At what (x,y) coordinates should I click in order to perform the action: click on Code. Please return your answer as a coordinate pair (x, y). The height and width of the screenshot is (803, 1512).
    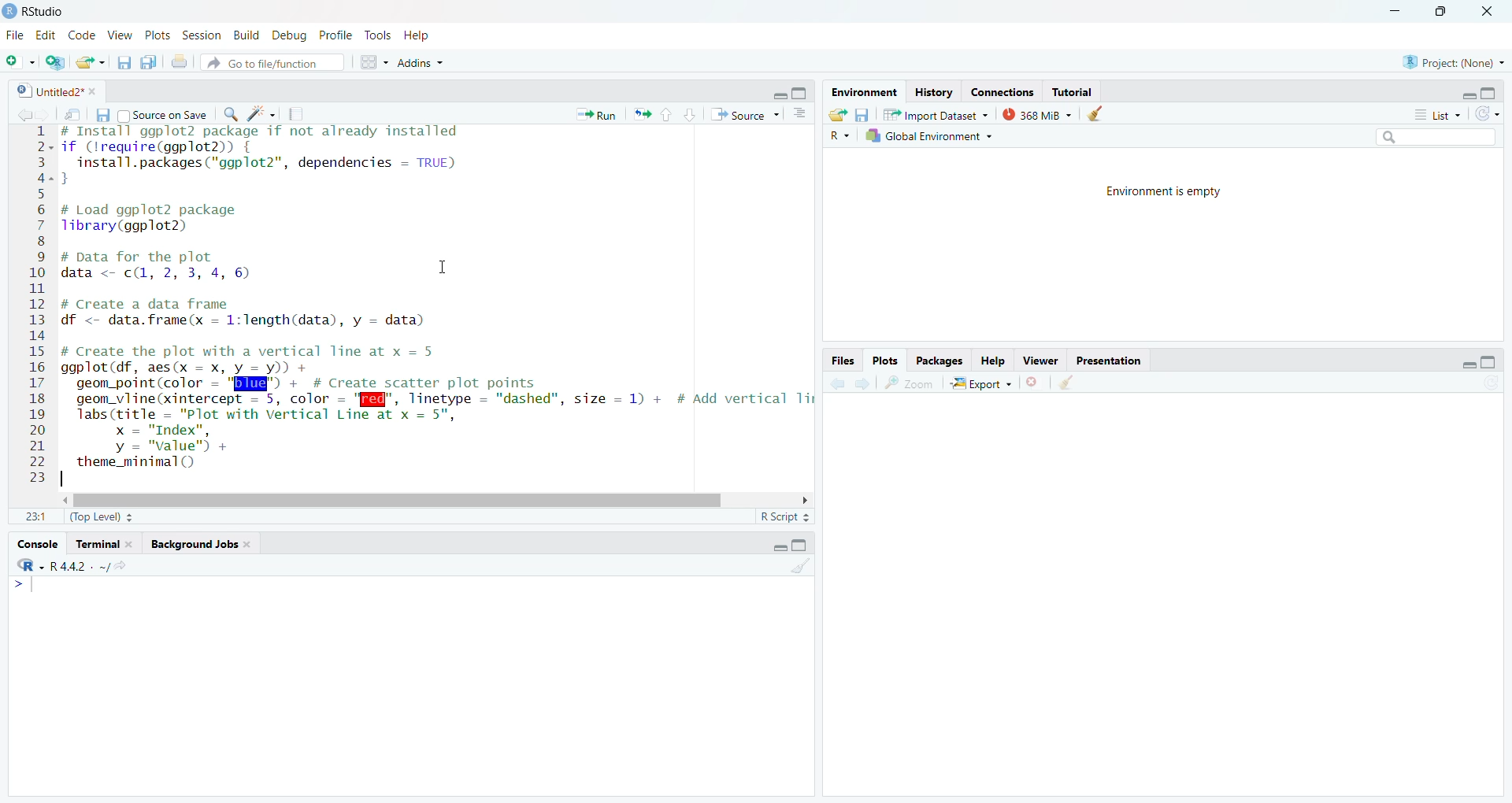
    Looking at the image, I should click on (83, 36).